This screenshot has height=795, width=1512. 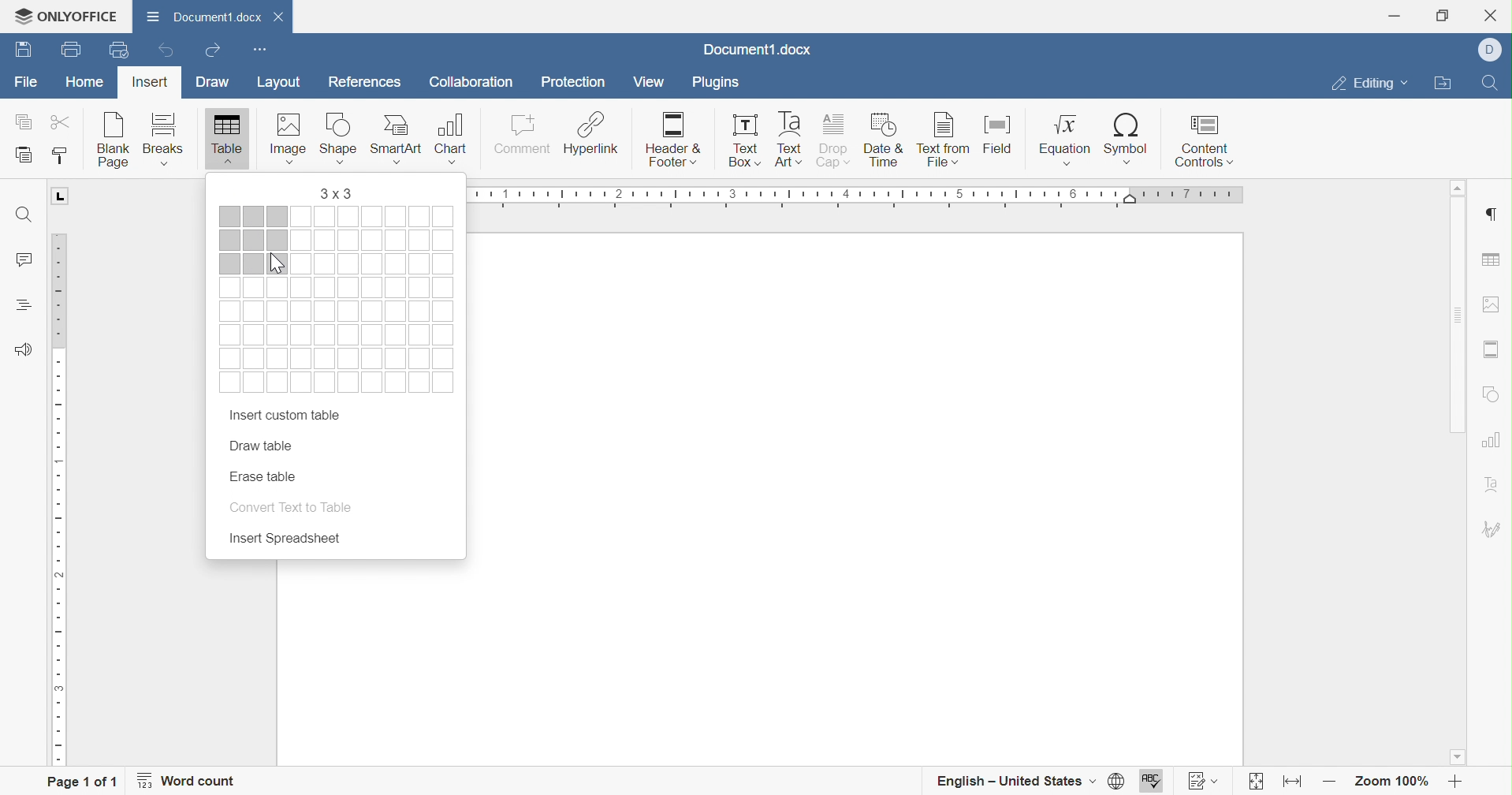 What do you see at coordinates (1455, 782) in the screenshot?
I see `Zoom in` at bounding box center [1455, 782].